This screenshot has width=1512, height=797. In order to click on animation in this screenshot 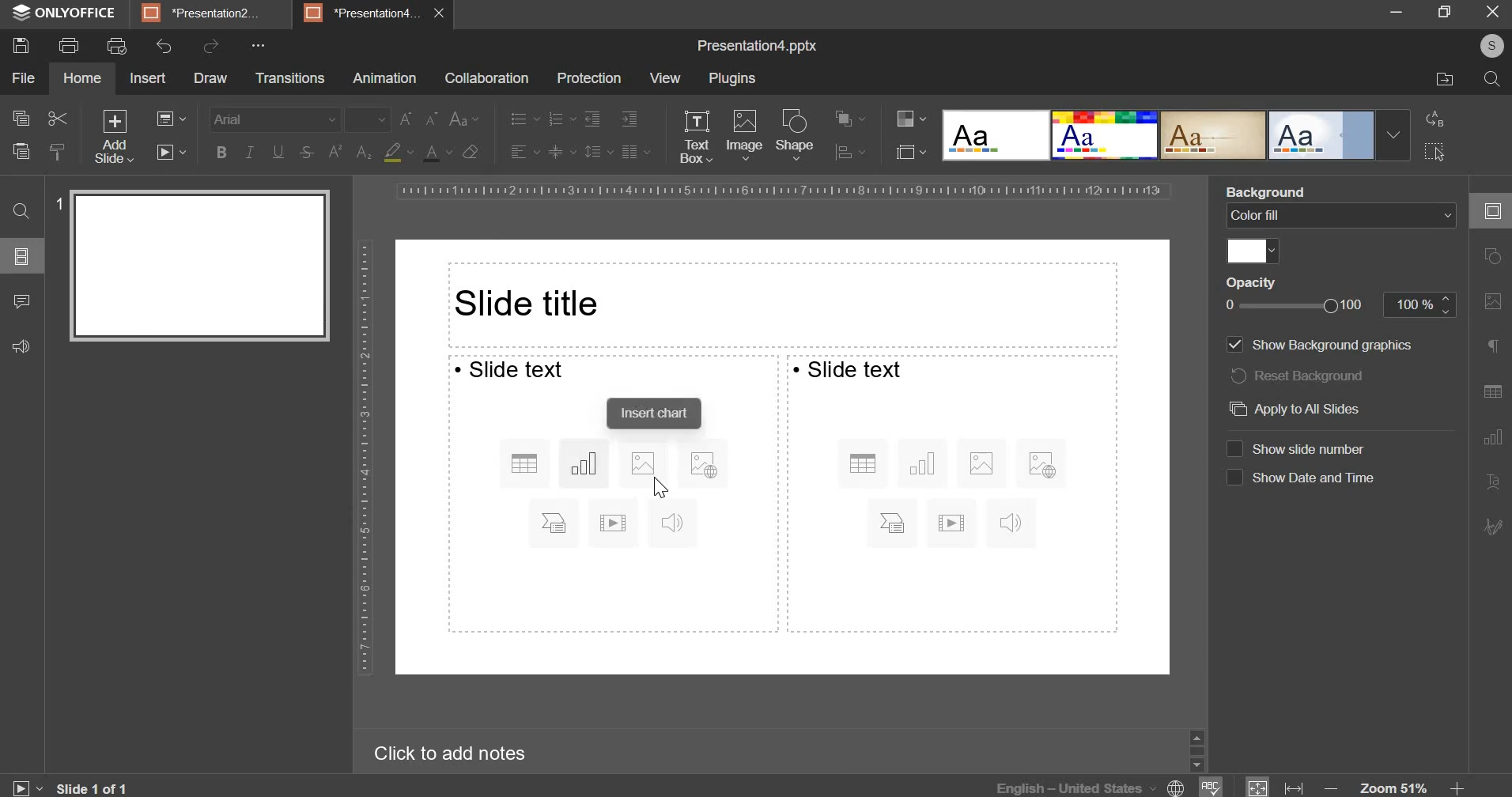, I will do `click(385, 79)`.